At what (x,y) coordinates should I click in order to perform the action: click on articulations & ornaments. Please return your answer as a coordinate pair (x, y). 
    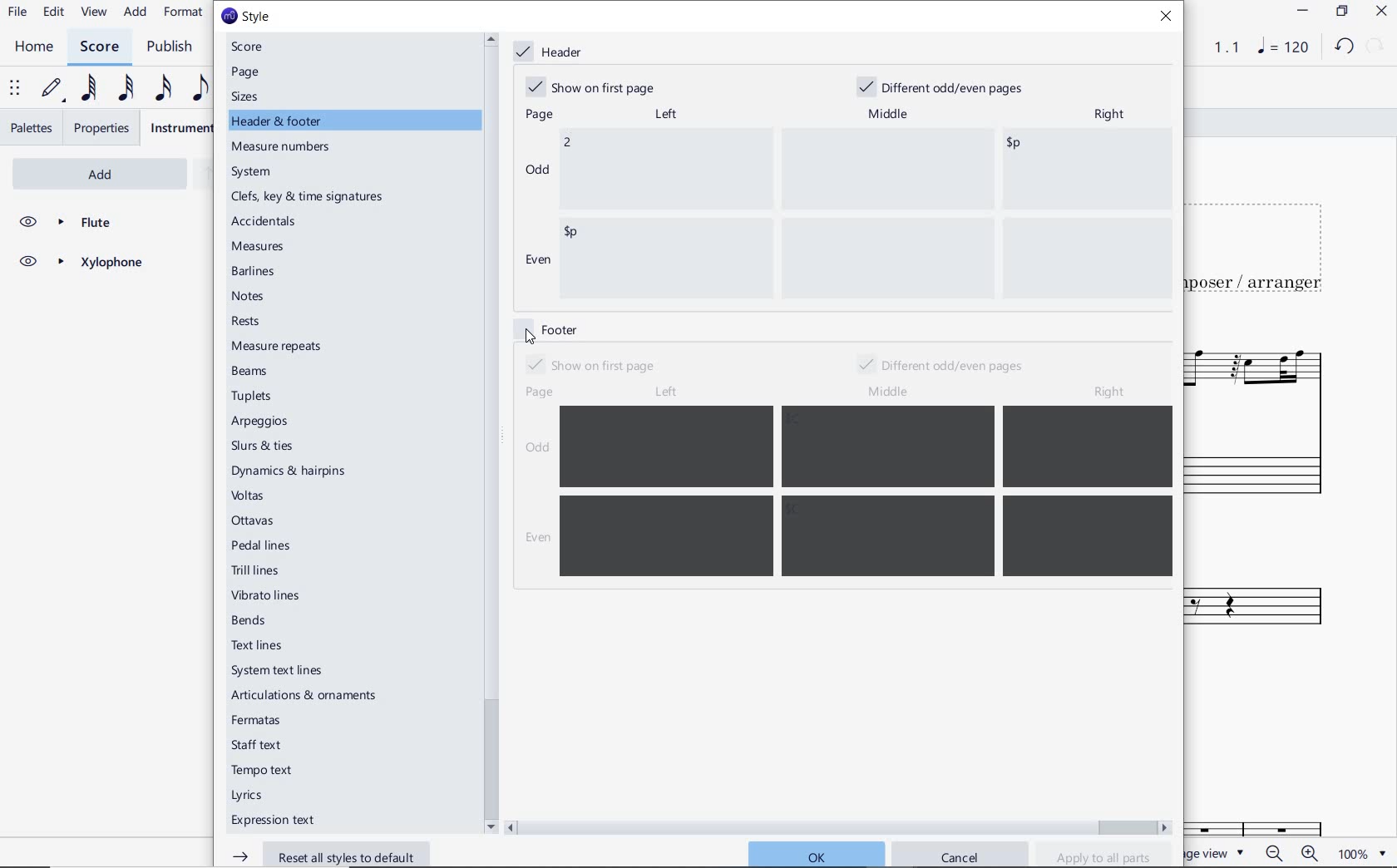
    Looking at the image, I should click on (309, 697).